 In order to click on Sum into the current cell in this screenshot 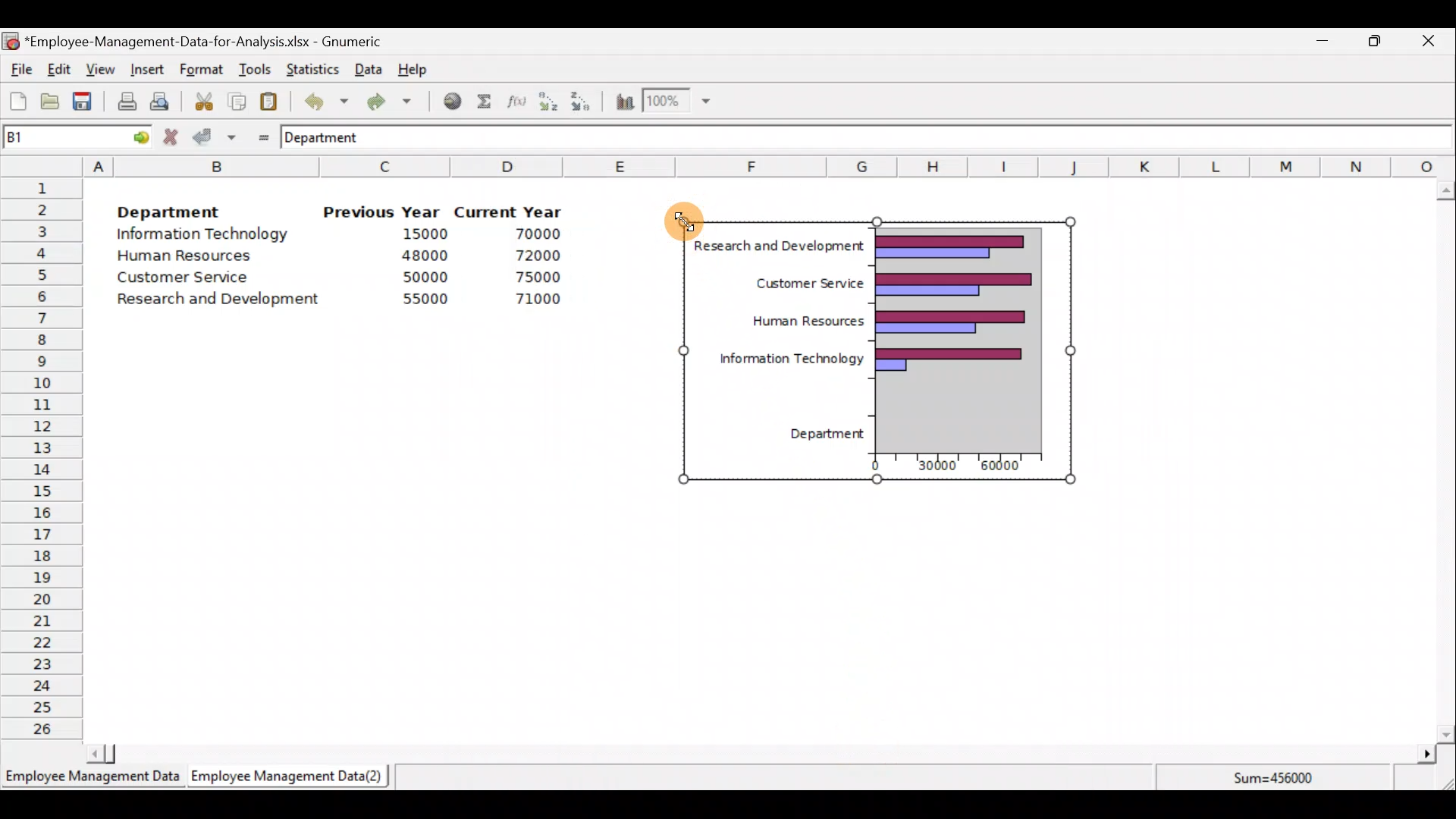, I will do `click(482, 101)`.